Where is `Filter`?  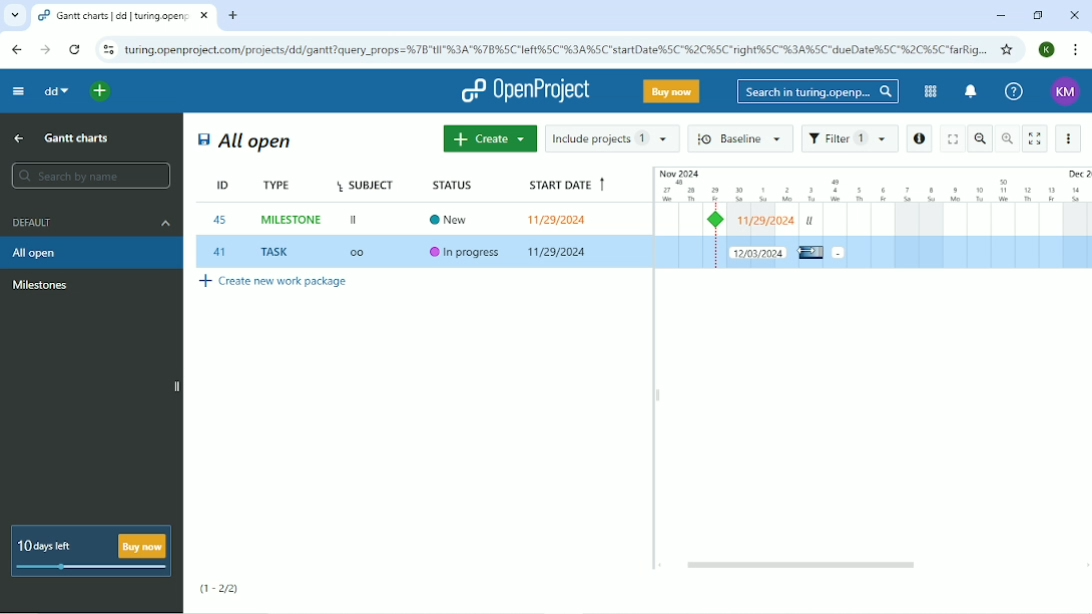
Filter is located at coordinates (849, 139).